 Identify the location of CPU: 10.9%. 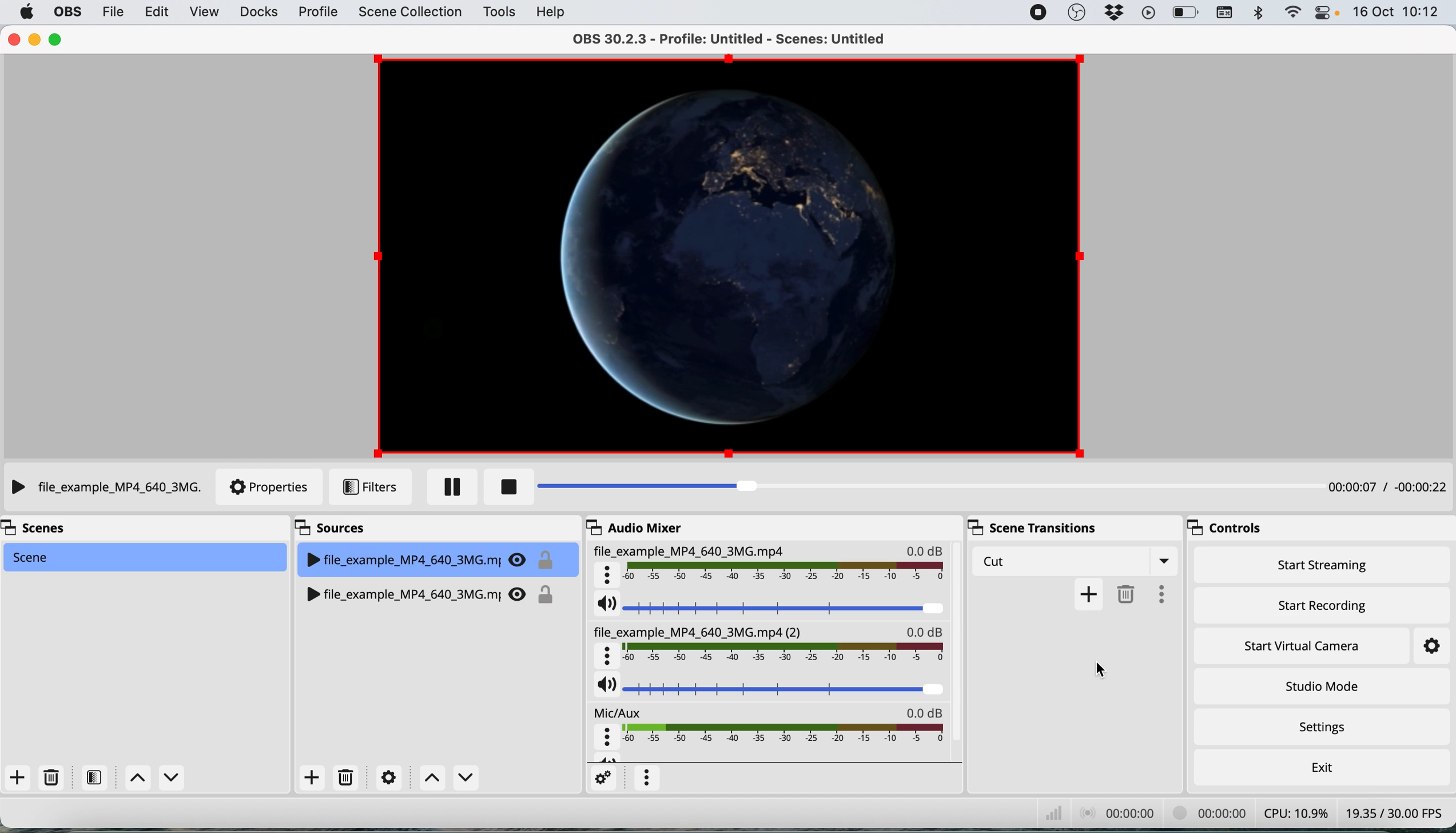
(1294, 812).